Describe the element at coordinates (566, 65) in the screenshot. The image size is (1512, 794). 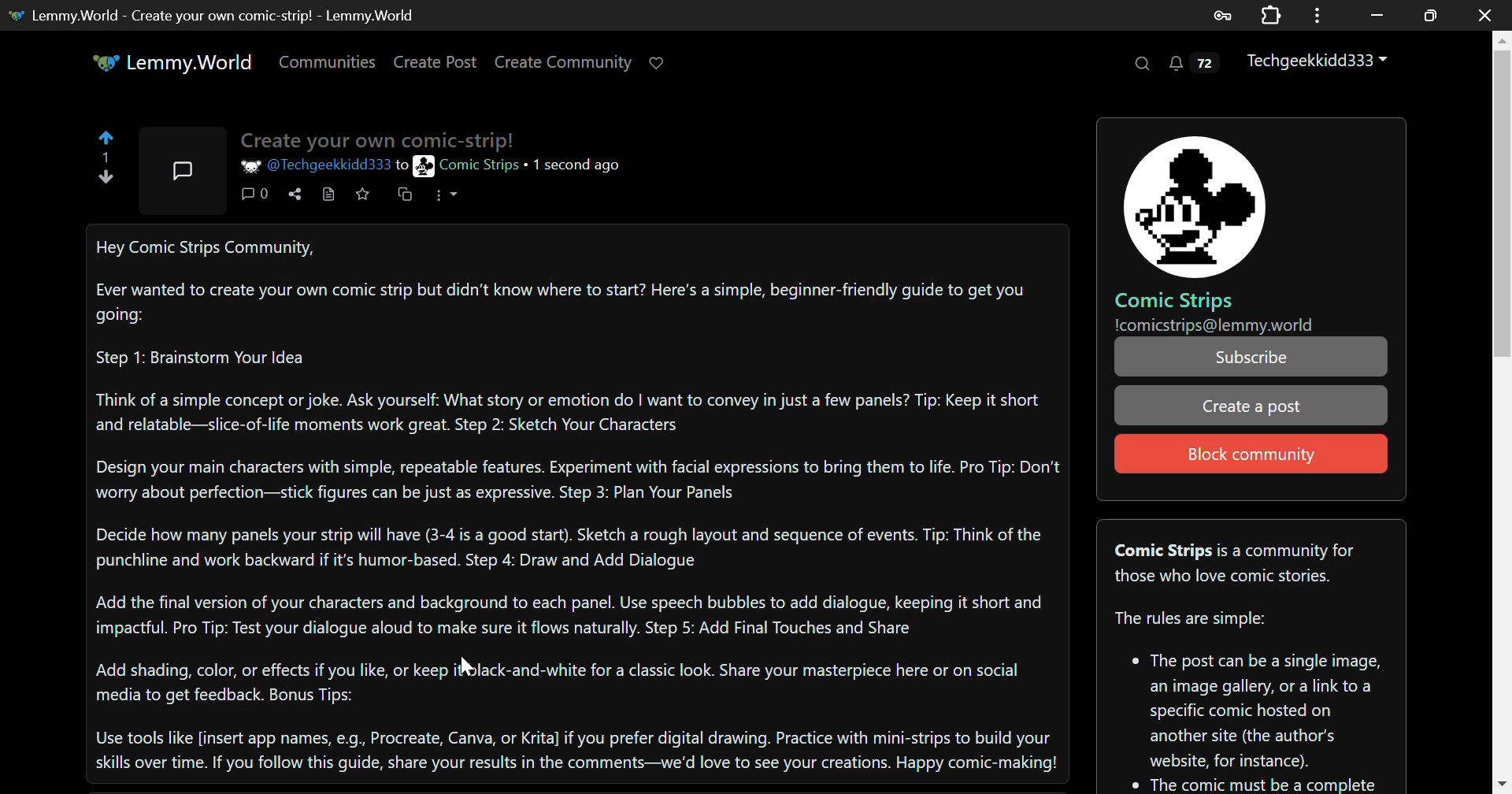
I see `Create Community Link` at that location.